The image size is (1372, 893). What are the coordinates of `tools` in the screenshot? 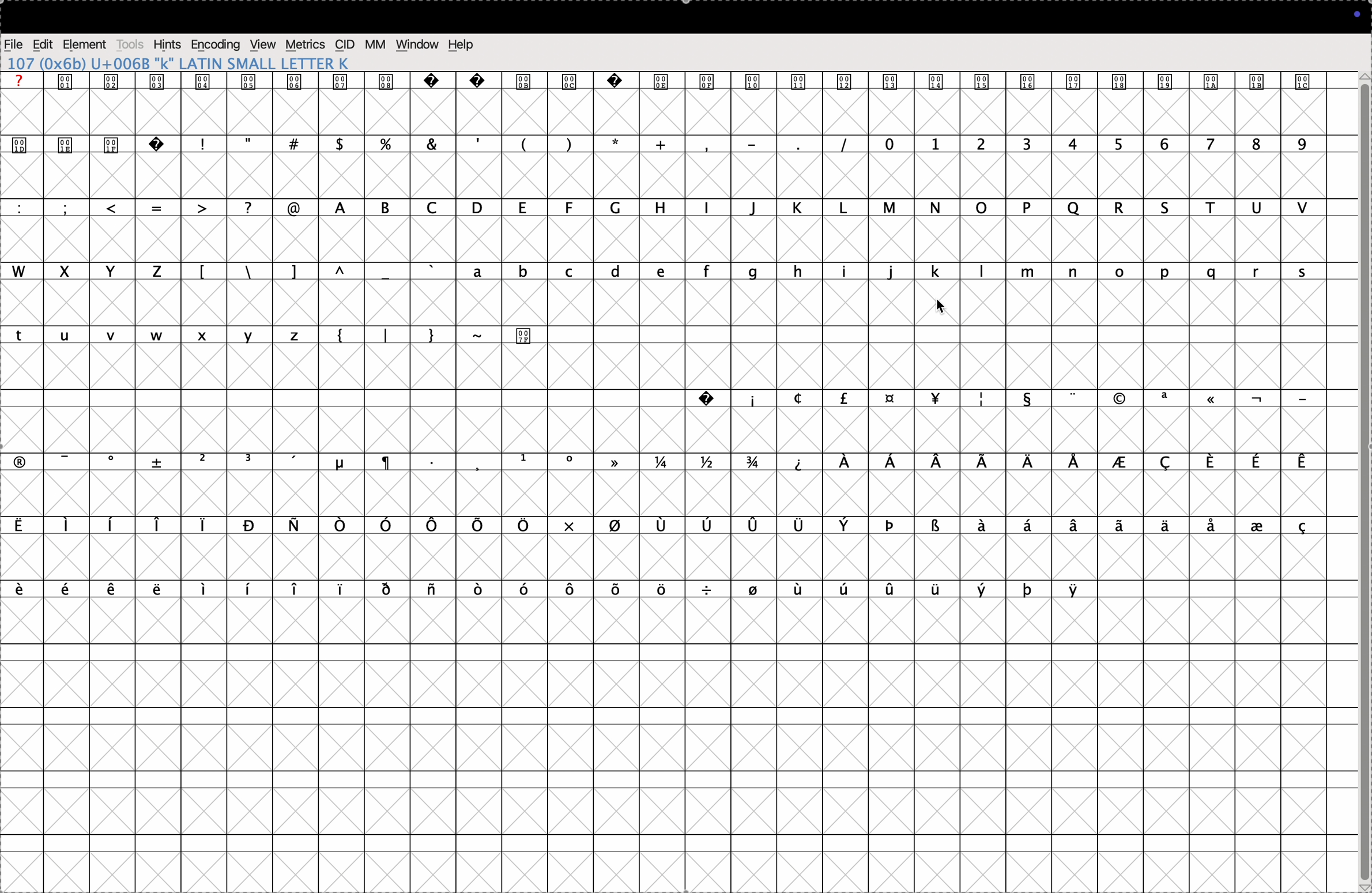 It's located at (131, 44).